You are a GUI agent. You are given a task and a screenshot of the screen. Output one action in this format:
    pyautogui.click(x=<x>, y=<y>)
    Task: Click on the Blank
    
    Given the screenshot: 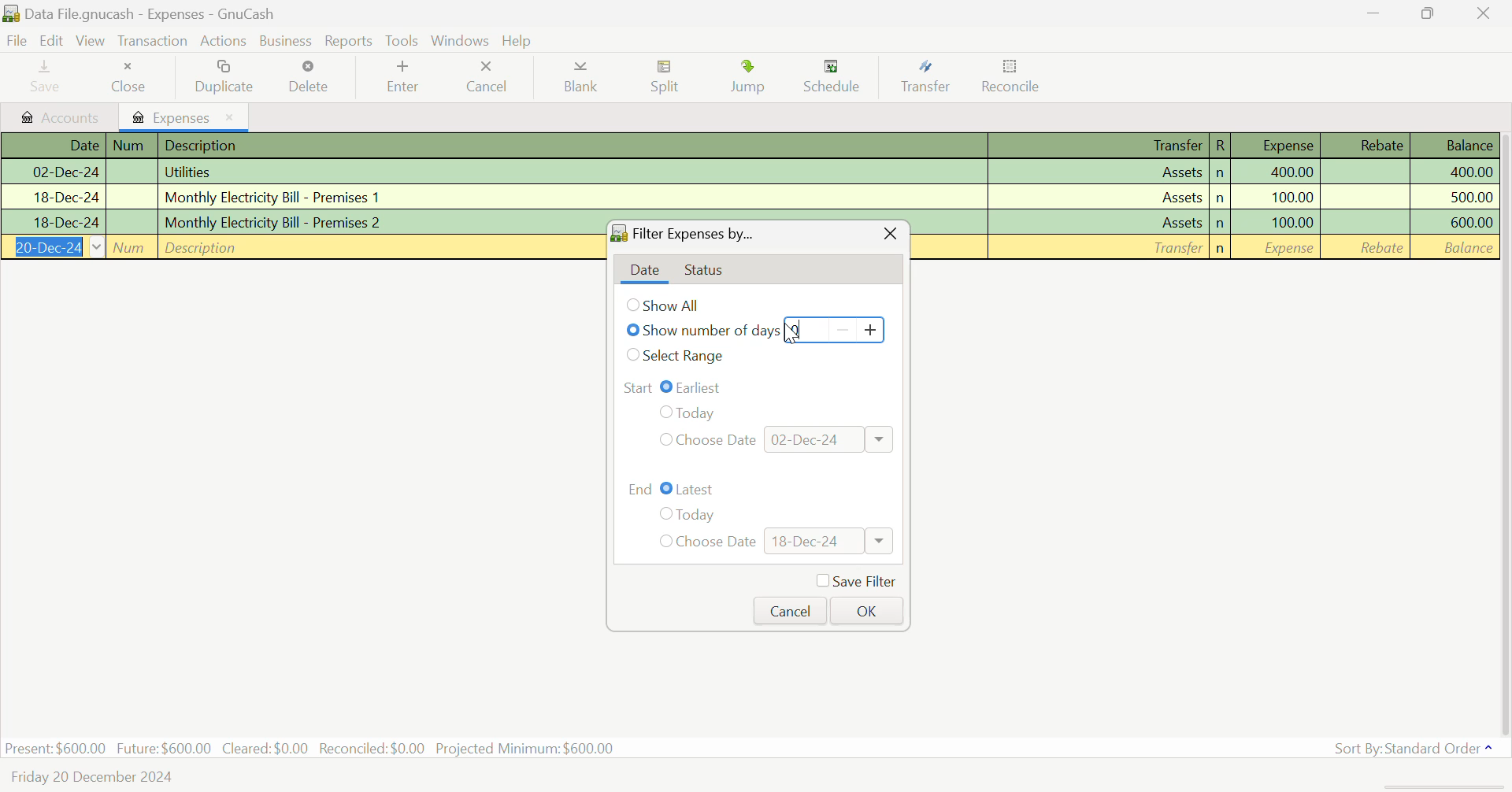 What is the action you would take?
    pyautogui.click(x=581, y=79)
    